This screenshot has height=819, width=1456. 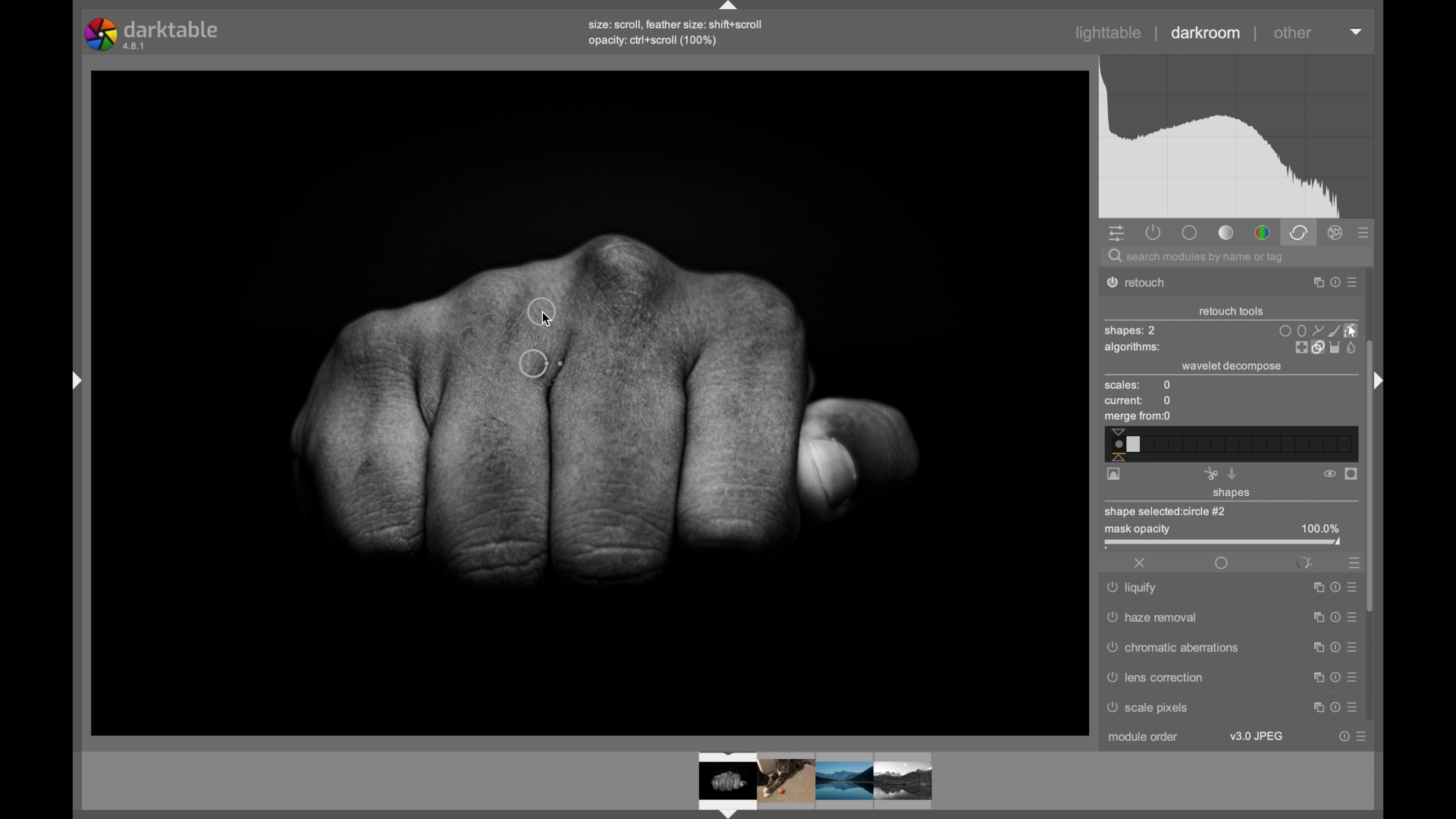 What do you see at coordinates (1257, 736) in the screenshot?
I see `v3.0 JPEG` at bounding box center [1257, 736].